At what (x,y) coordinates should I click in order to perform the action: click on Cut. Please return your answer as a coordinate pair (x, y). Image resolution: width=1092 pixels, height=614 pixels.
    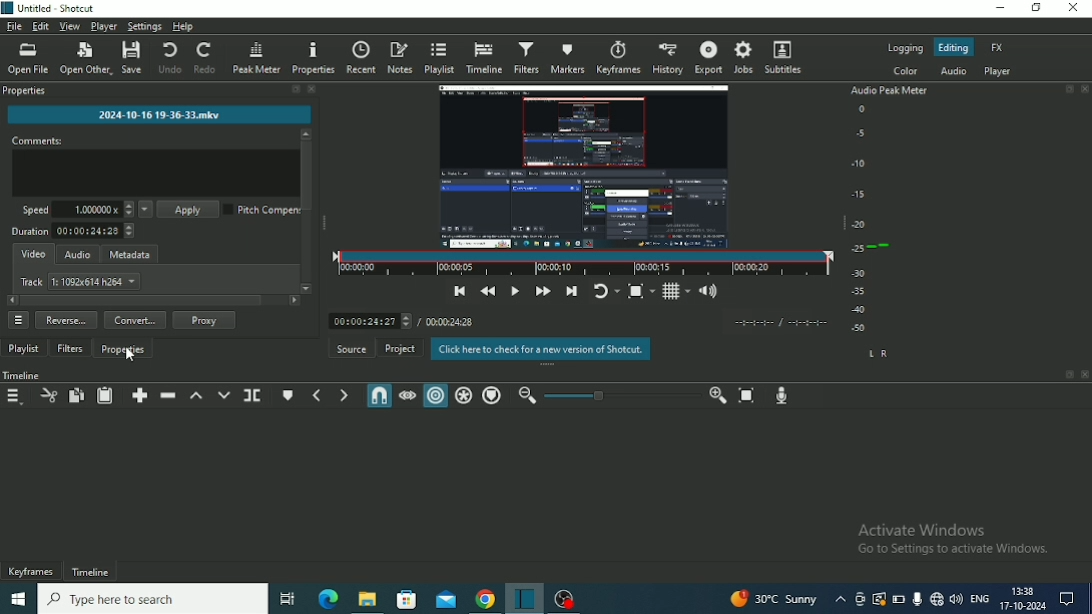
    Looking at the image, I should click on (47, 397).